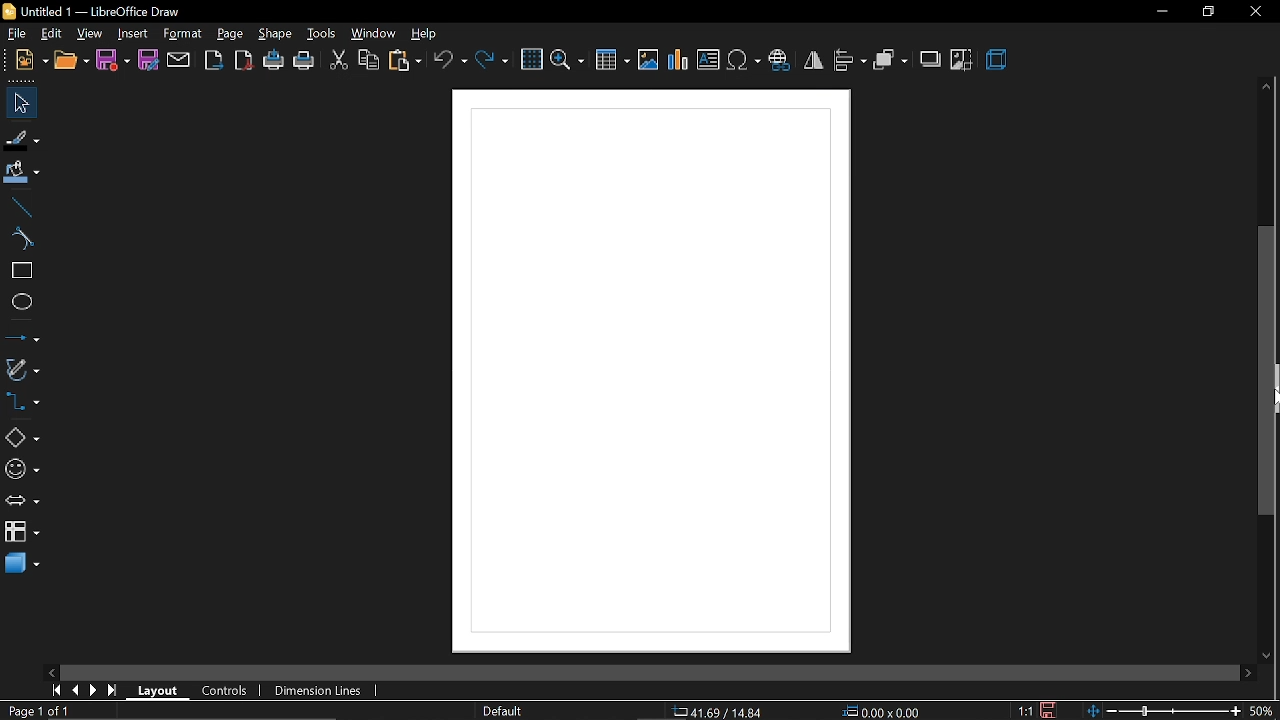 This screenshot has height=720, width=1280. I want to click on export, so click(214, 62).